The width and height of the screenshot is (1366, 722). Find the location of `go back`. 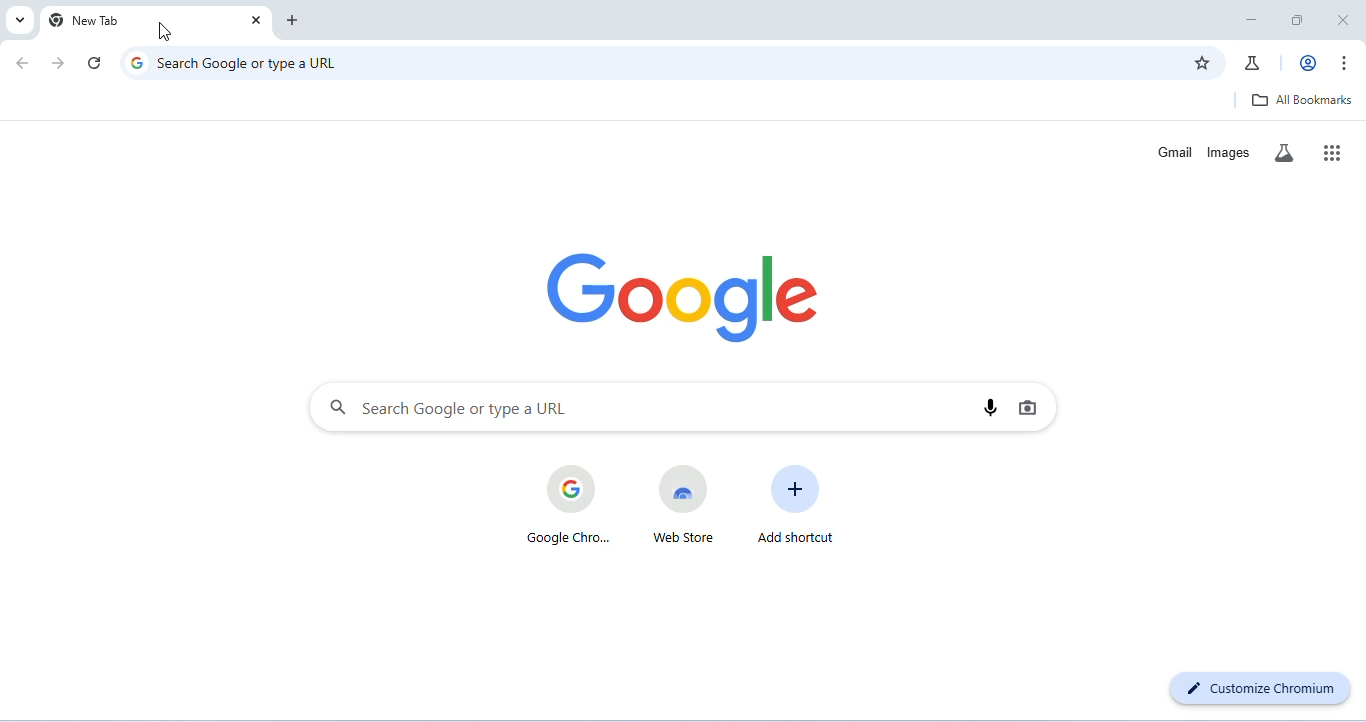

go back is located at coordinates (25, 62).